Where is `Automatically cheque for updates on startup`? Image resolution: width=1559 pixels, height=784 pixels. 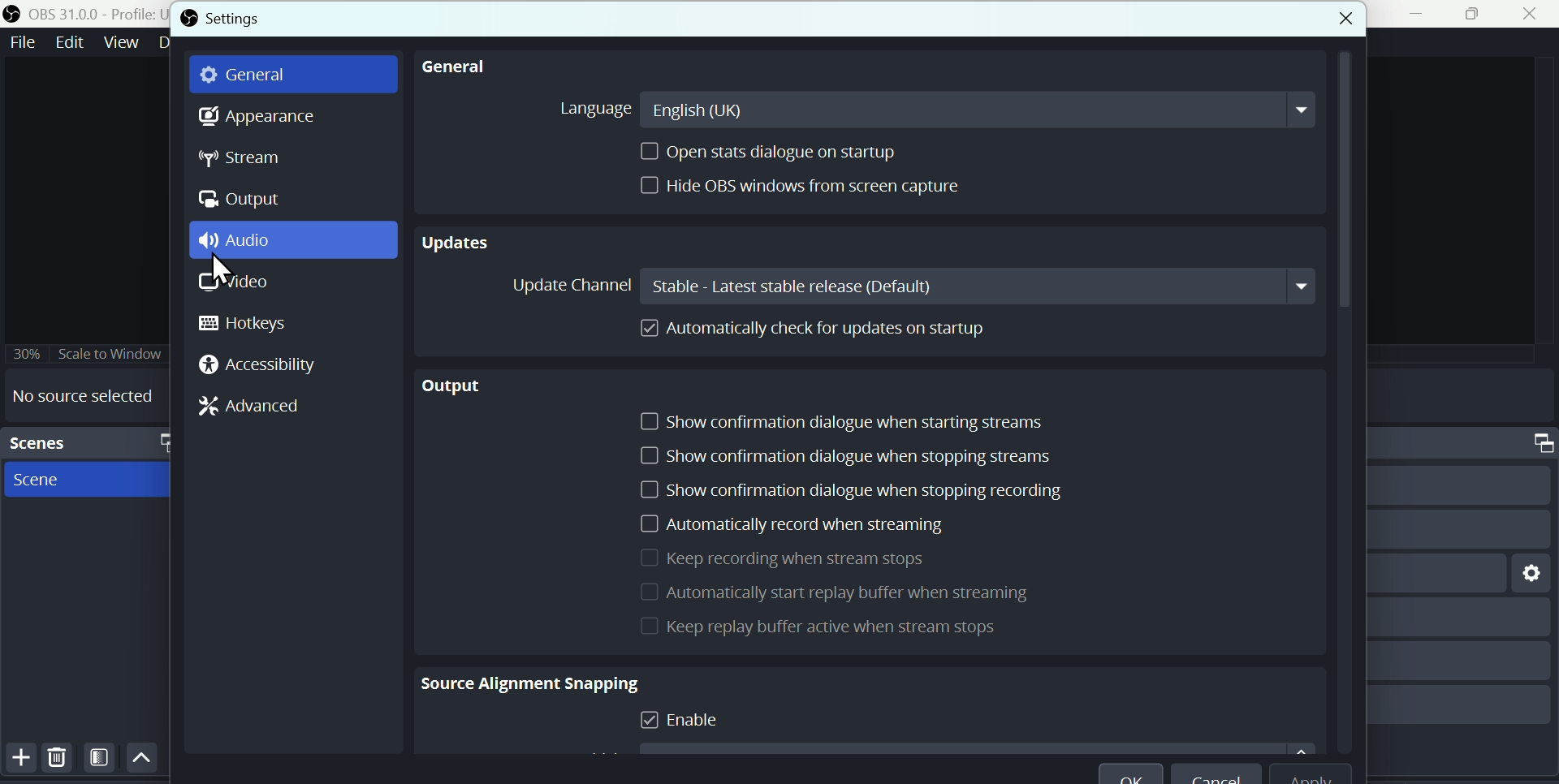
Automatically cheque for updates on startup is located at coordinates (838, 333).